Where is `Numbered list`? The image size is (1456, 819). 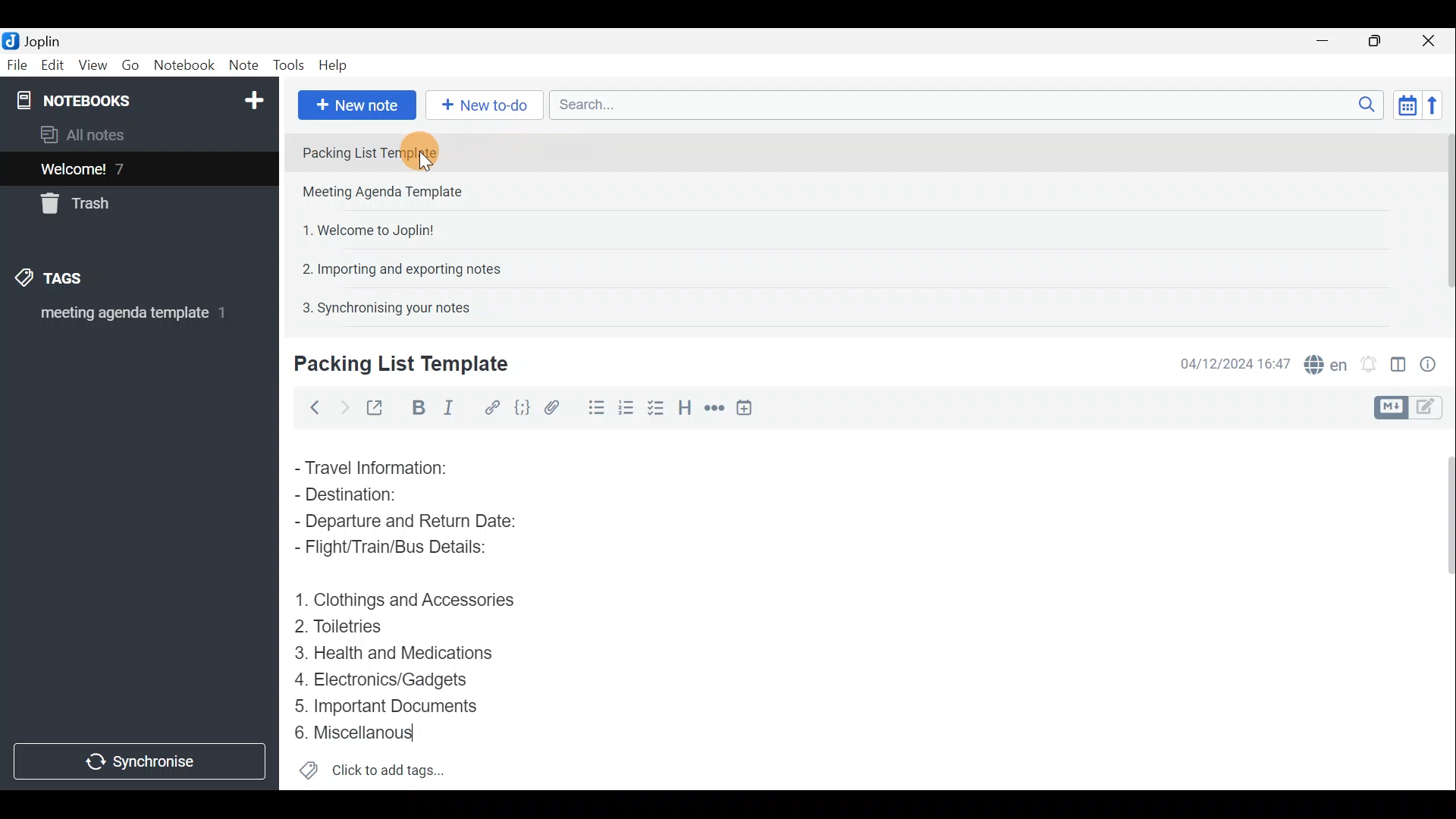 Numbered list is located at coordinates (657, 407).